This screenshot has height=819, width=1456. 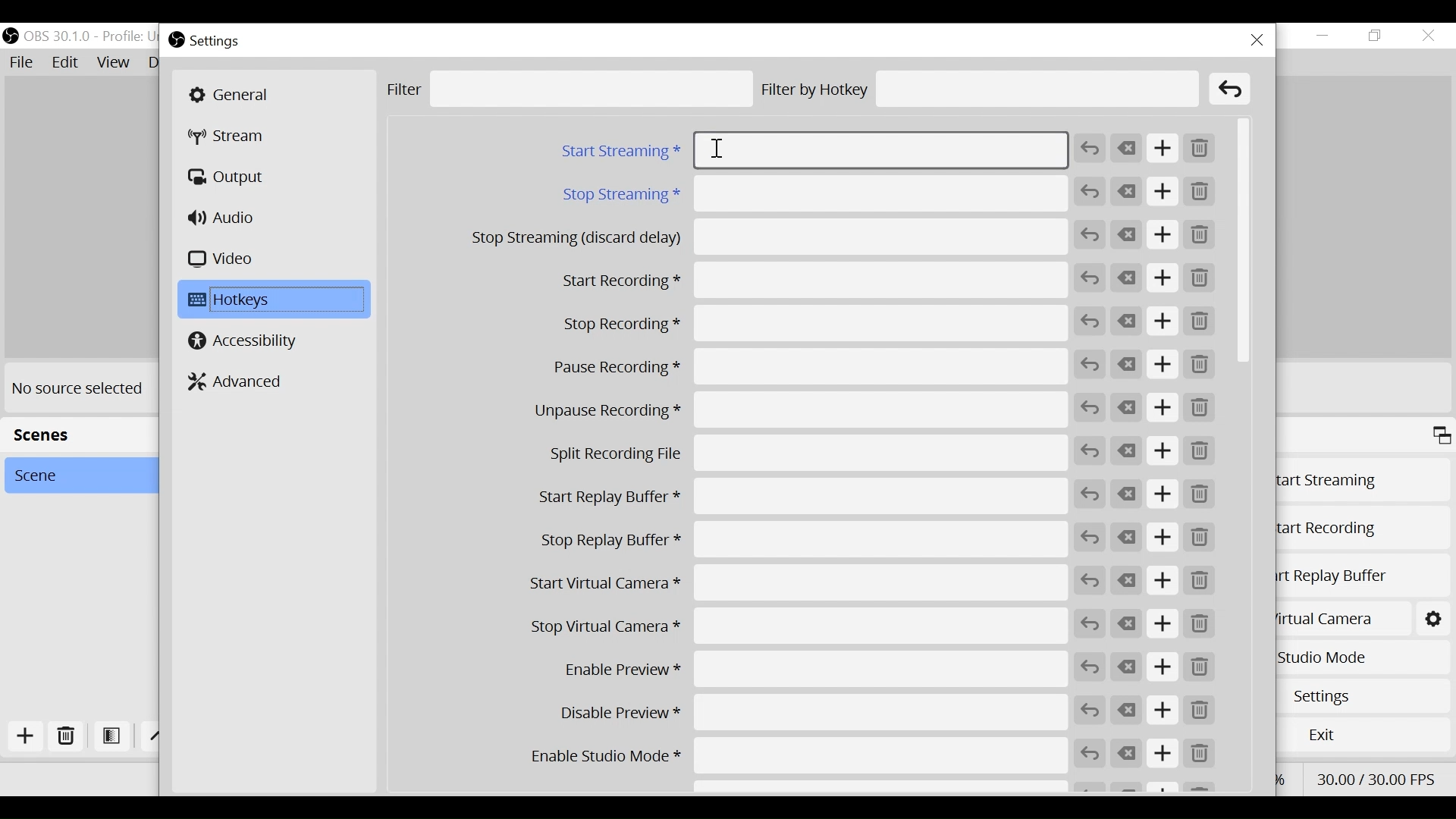 I want to click on Start Replay Buffer, so click(x=1364, y=575).